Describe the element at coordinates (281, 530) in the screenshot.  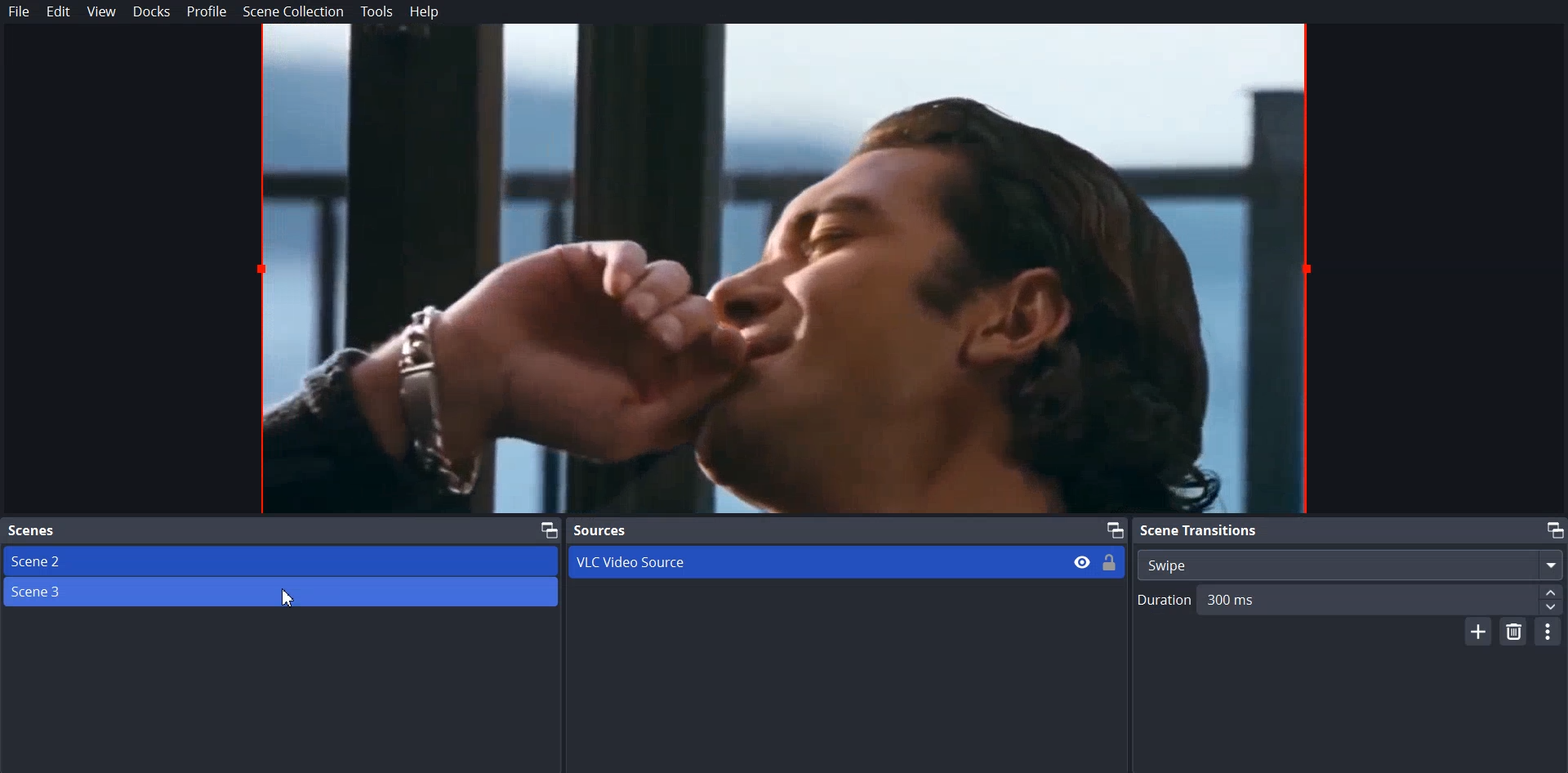
I see `Scene` at that location.